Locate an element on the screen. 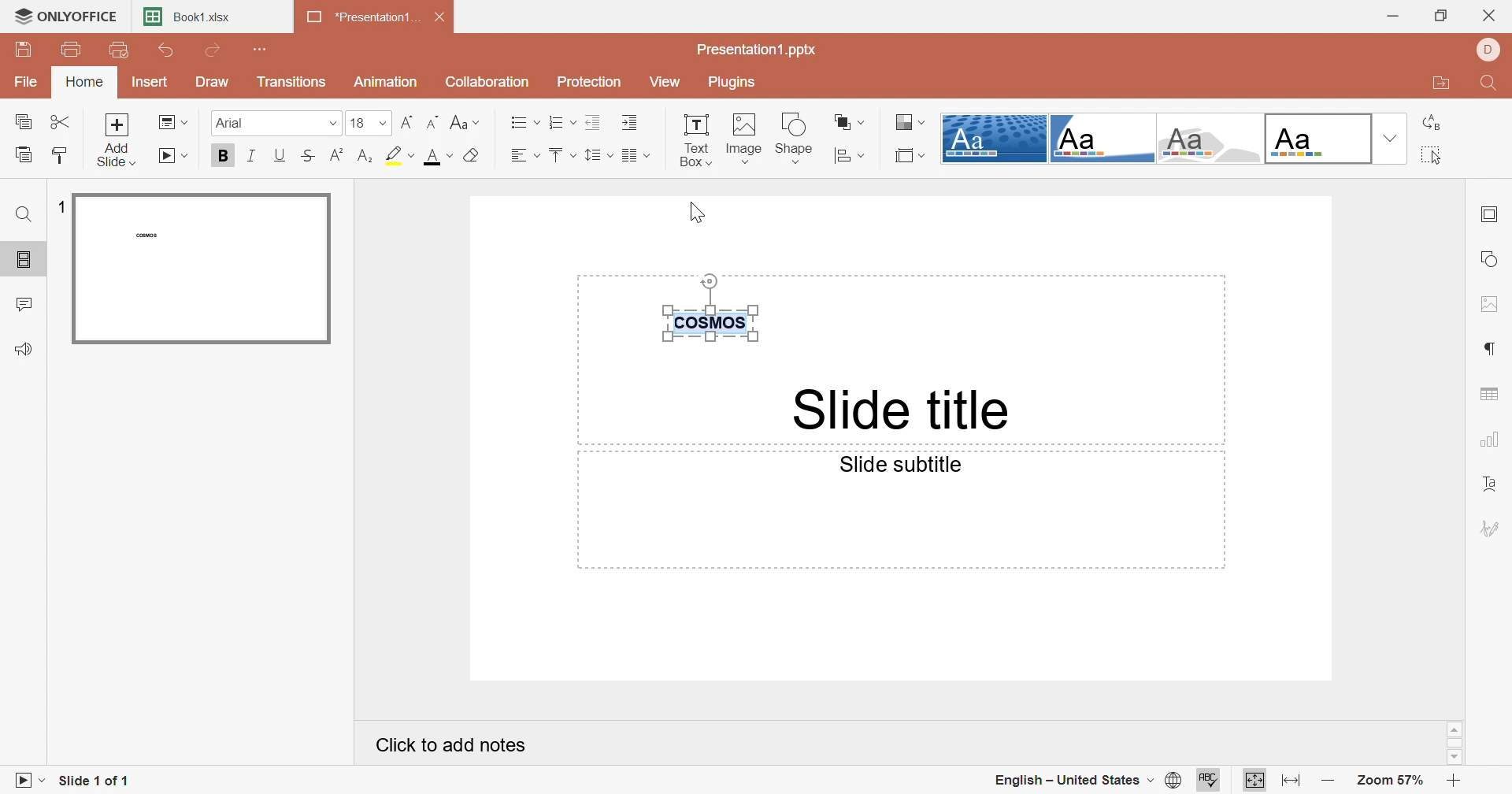 The width and height of the screenshot is (1512, 794). 1 is located at coordinates (60, 206).